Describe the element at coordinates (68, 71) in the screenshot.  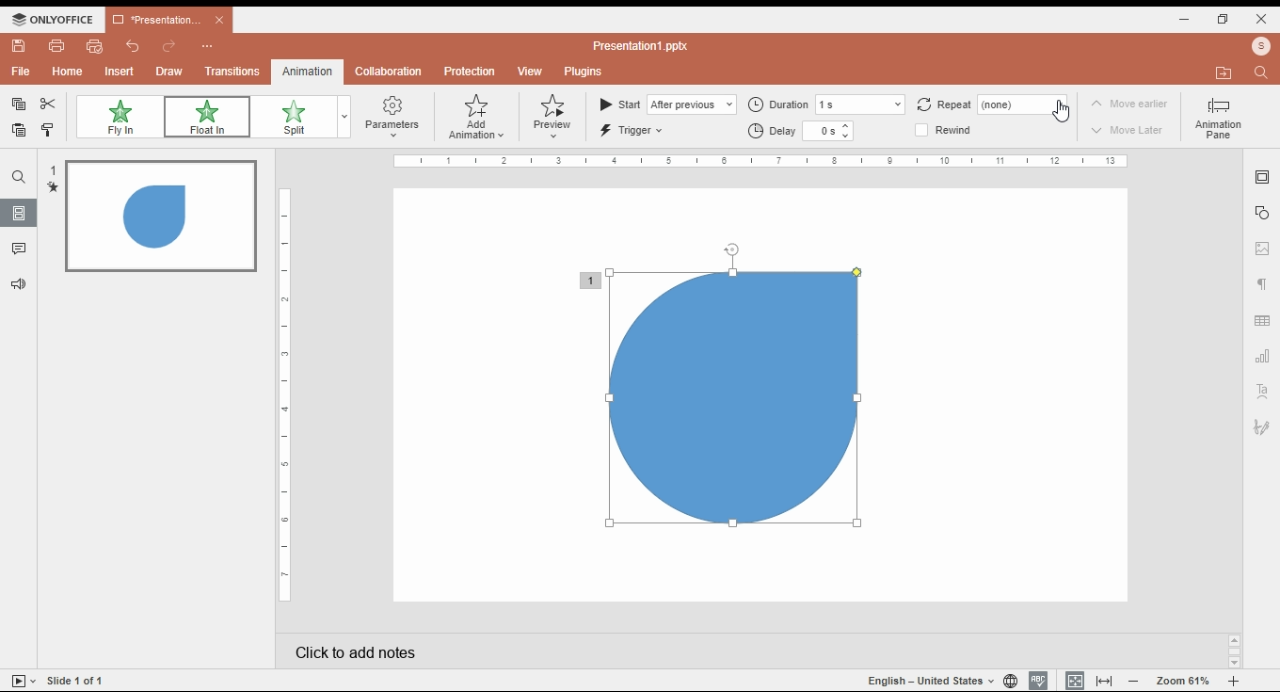
I see `home` at that location.